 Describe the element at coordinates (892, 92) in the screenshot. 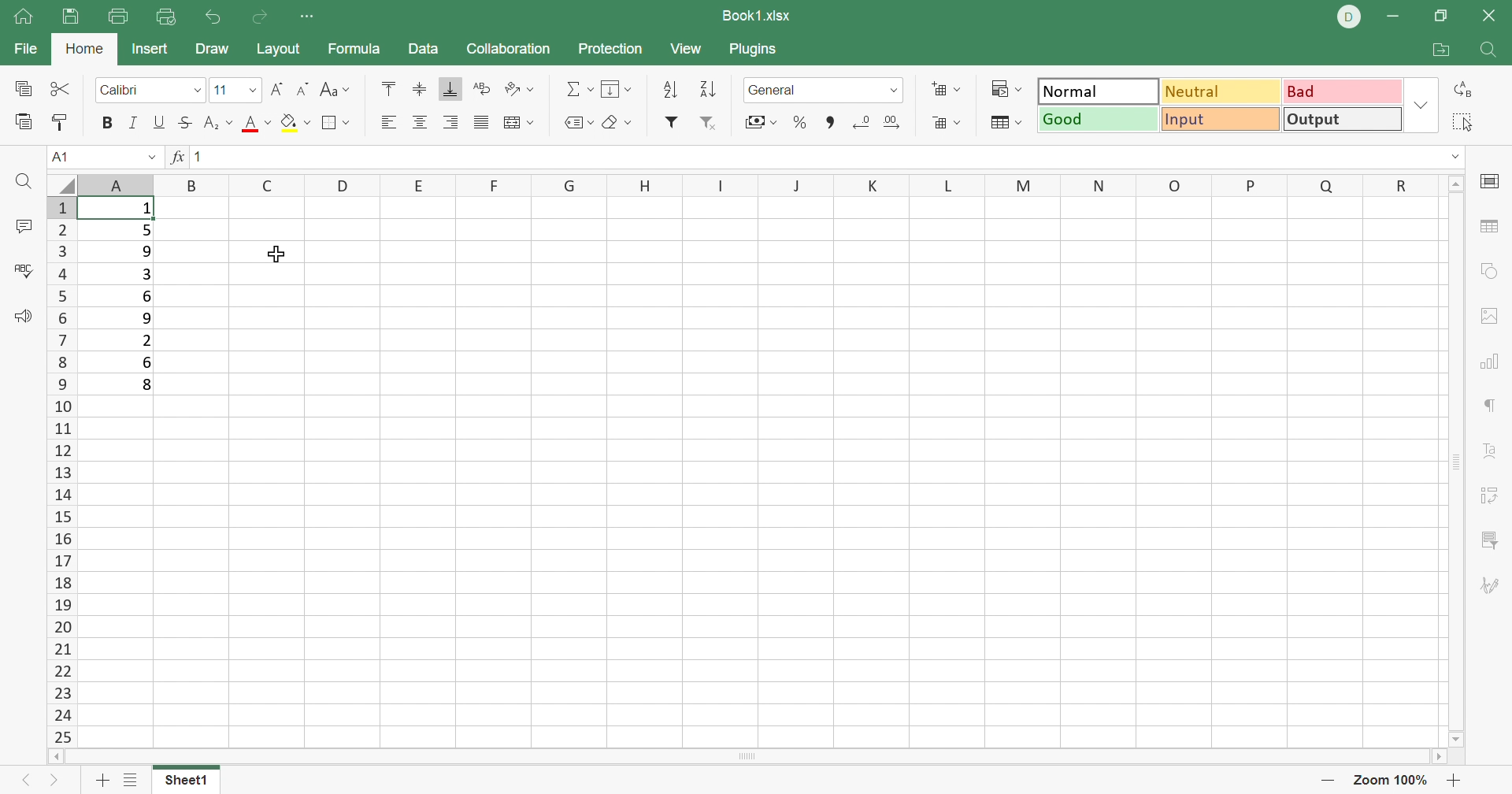

I see `Drop Down` at that location.